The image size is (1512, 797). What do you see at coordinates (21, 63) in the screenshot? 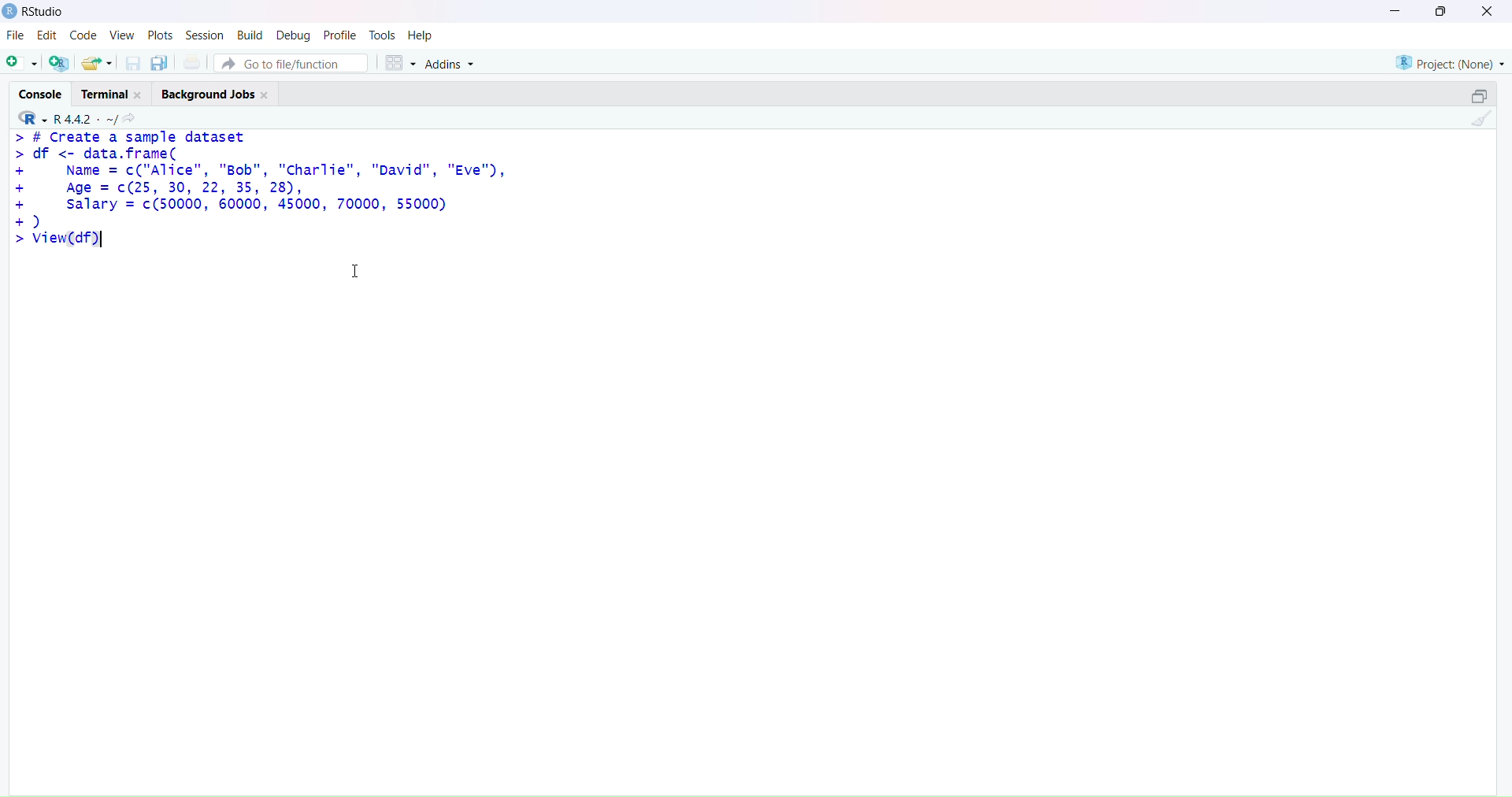
I see `new script` at bounding box center [21, 63].